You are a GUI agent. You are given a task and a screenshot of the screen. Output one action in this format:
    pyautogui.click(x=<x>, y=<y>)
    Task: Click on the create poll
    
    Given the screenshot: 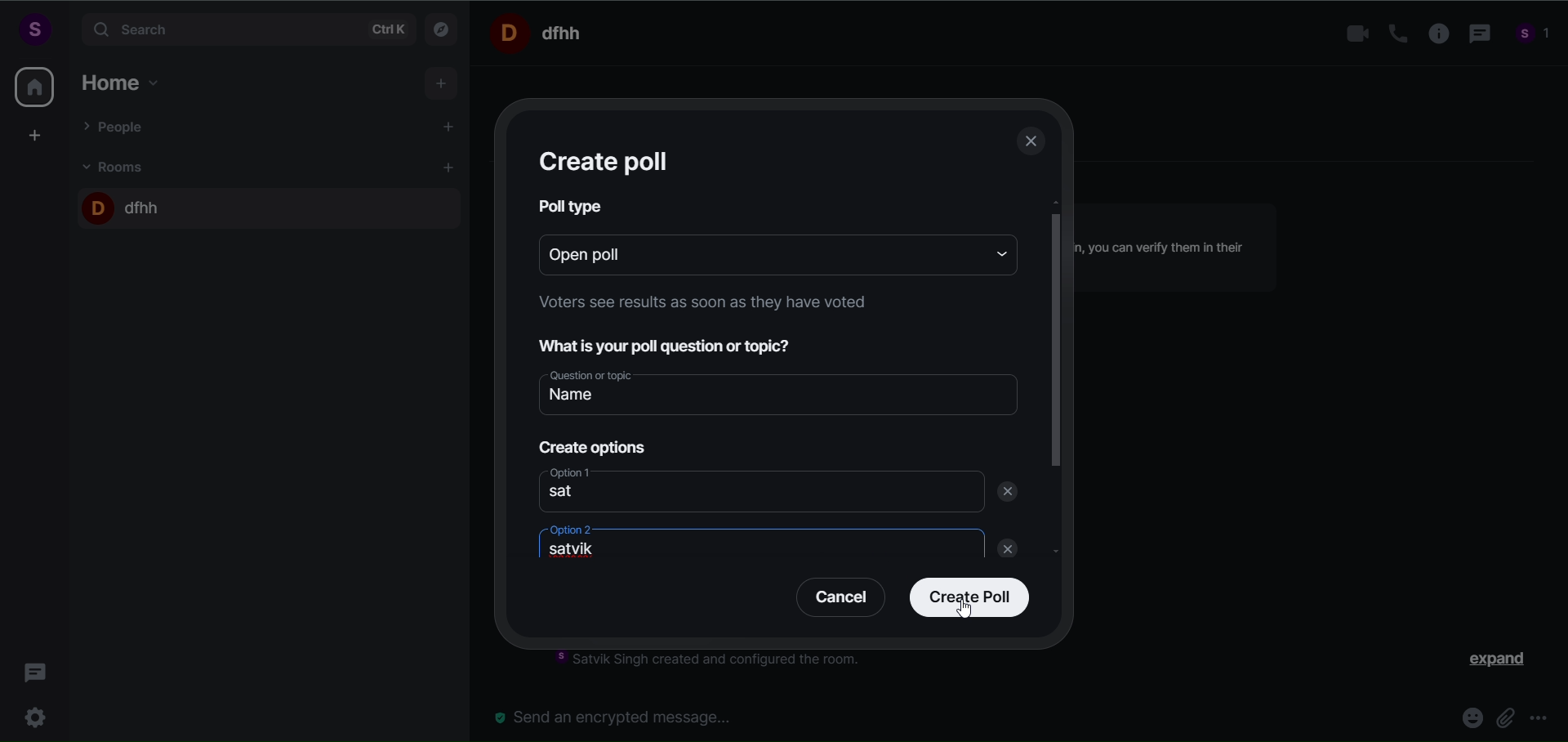 What is the action you would take?
    pyautogui.click(x=965, y=599)
    